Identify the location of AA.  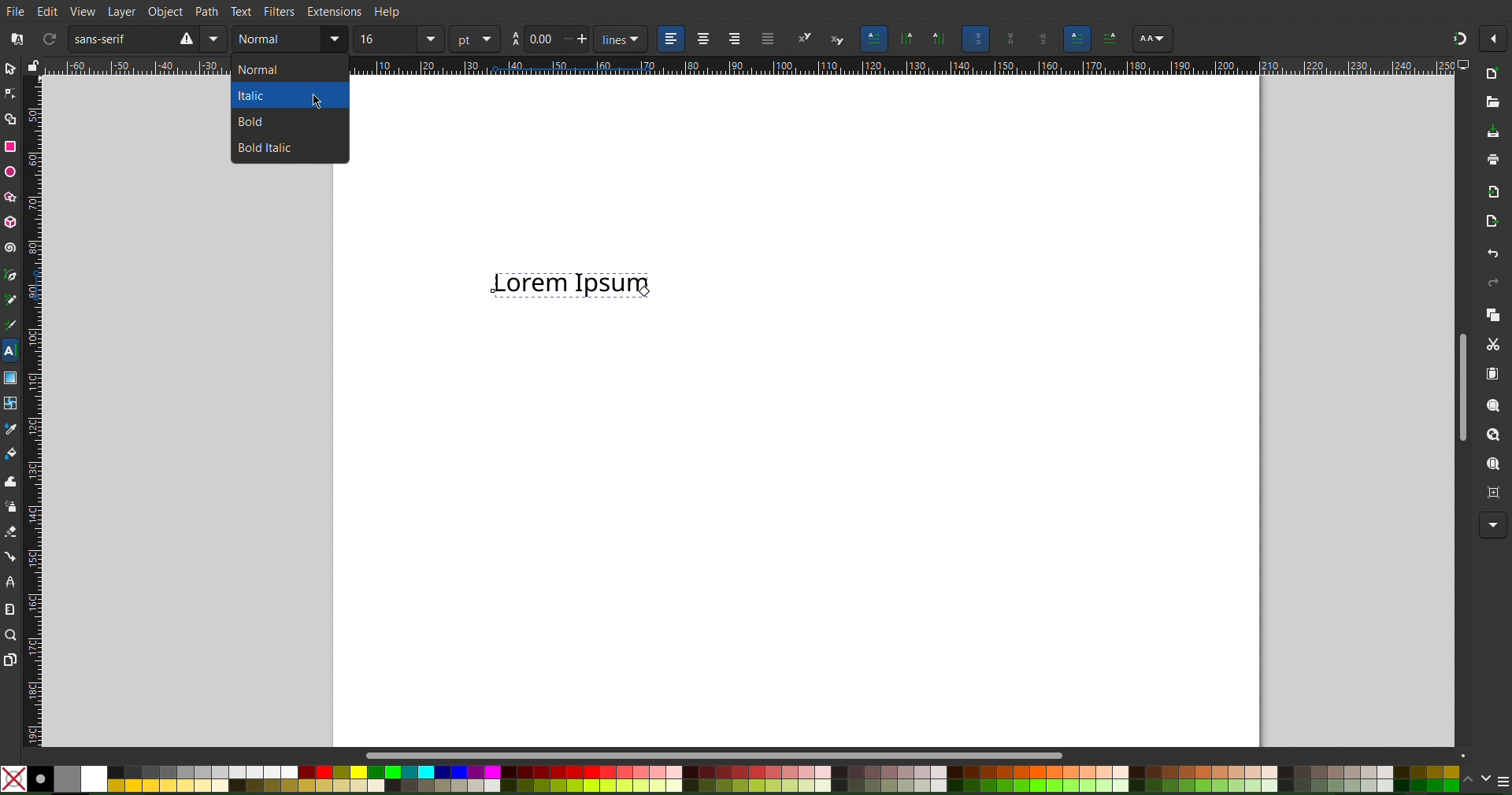
(1152, 40).